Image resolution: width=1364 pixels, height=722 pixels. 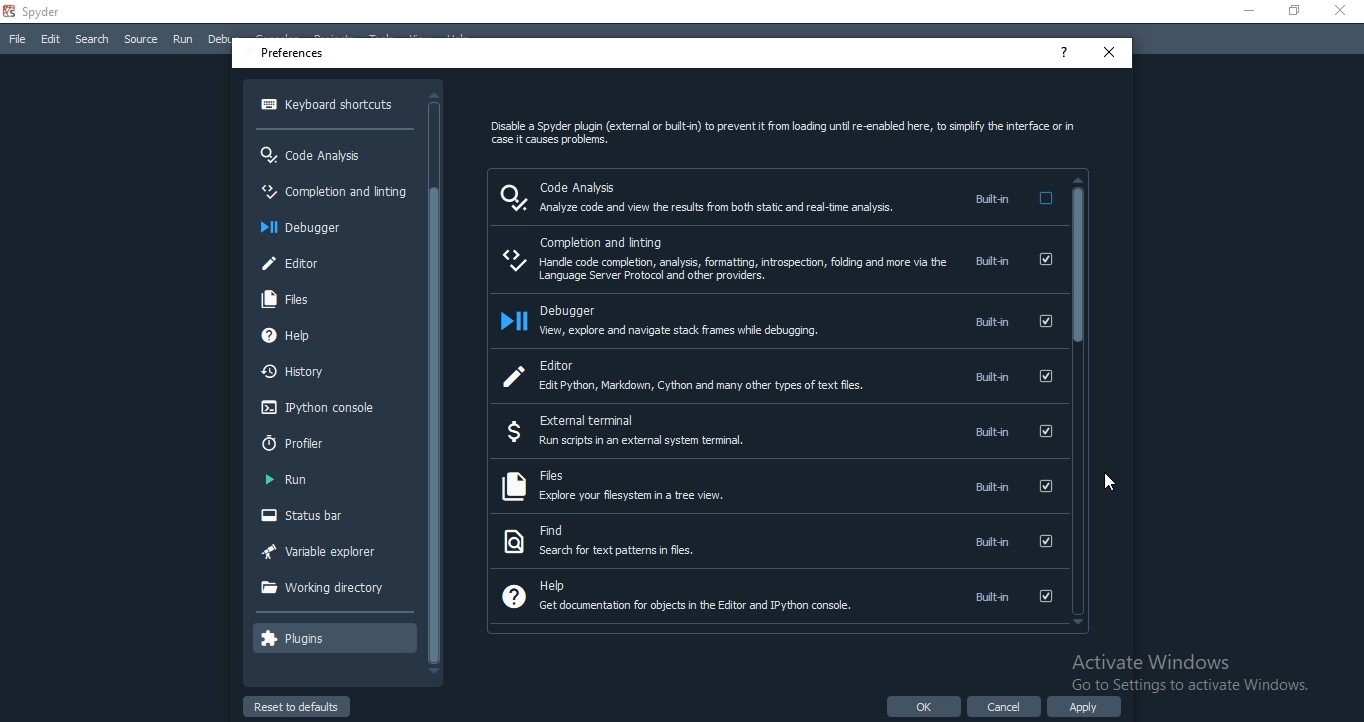 I want to click on Run, so click(x=183, y=41).